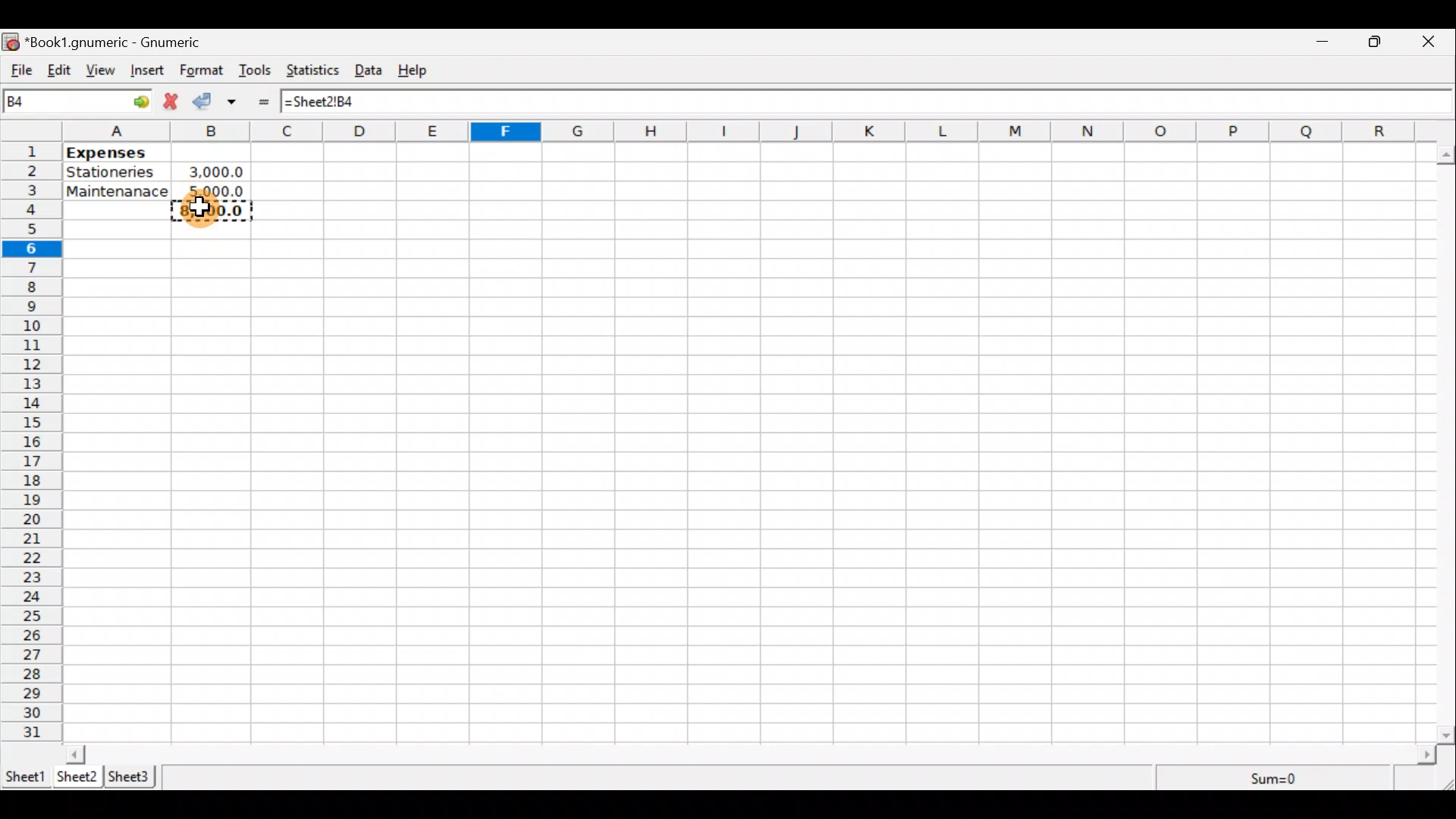 This screenshot has height=819, width=1456. Describe the element at coordinates (1447, 155) in the screenshot. I see `scroll up` at that location.